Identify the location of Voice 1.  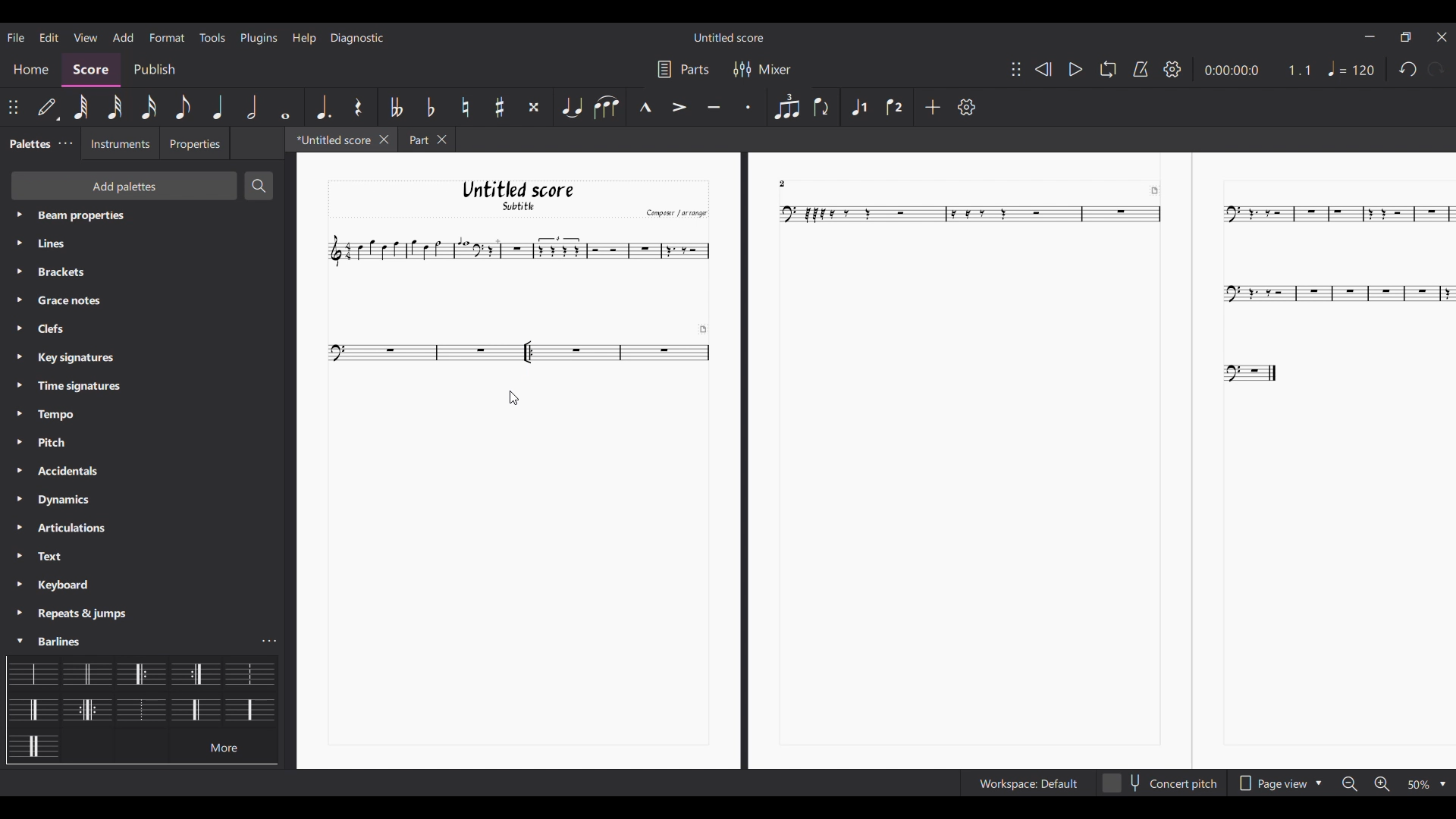
(859, 106).